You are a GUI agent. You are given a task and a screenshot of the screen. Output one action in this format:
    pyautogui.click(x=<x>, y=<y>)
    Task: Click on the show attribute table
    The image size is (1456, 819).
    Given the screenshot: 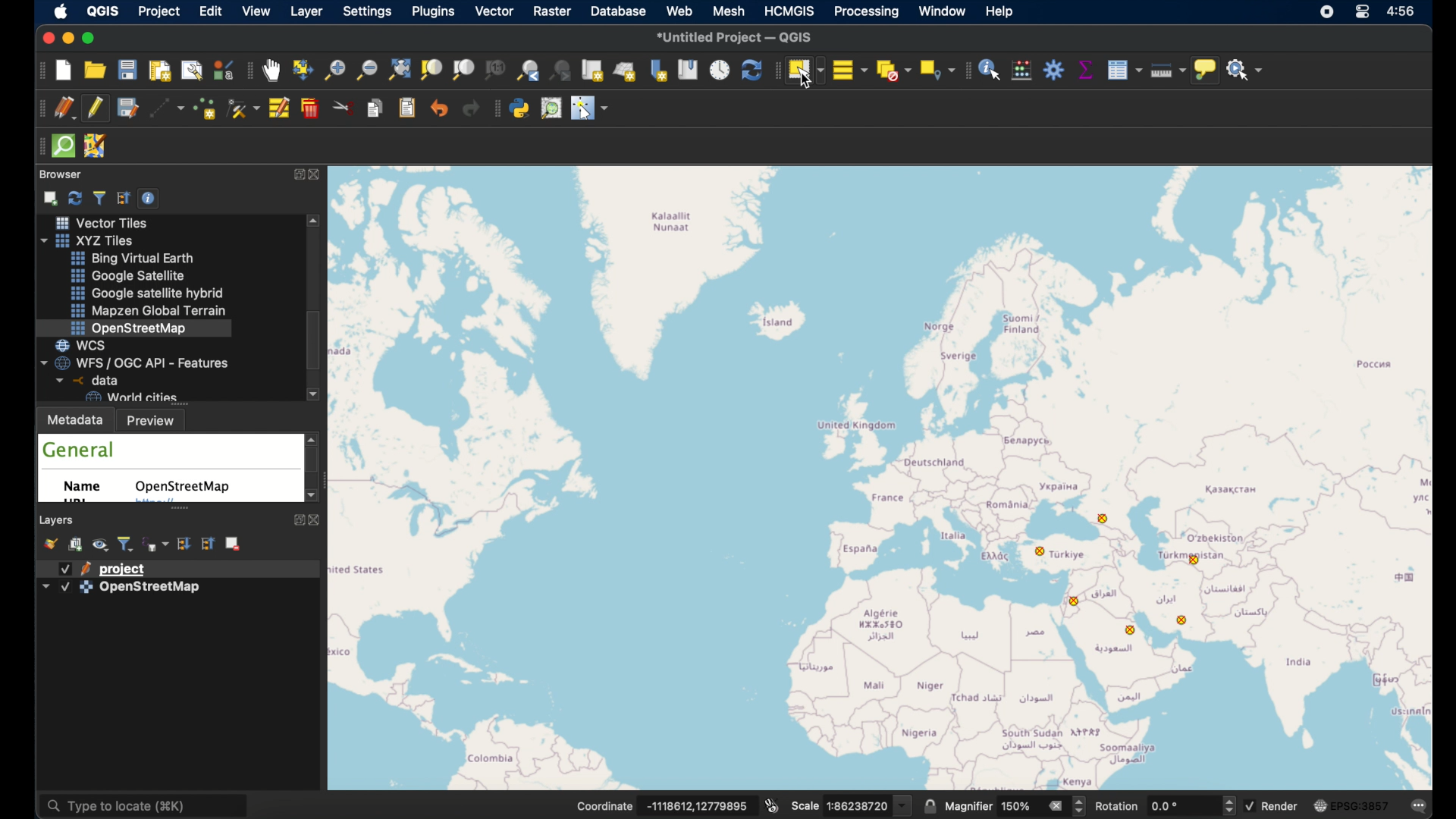 What is the action you would take?
    pyautogui.click(x=1125, y=70)
    